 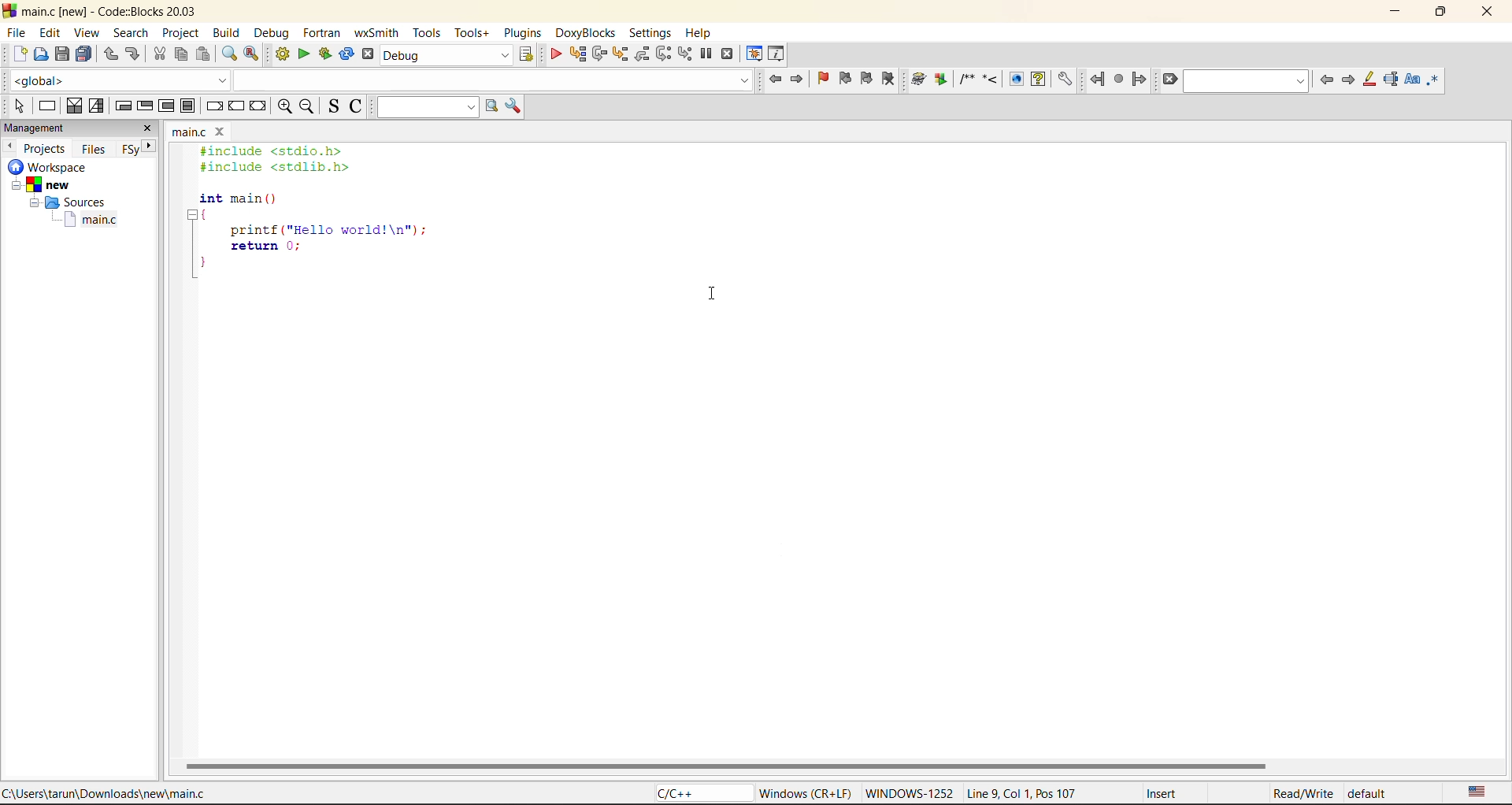 I want to click on previous, so click(x=1327, y=81).